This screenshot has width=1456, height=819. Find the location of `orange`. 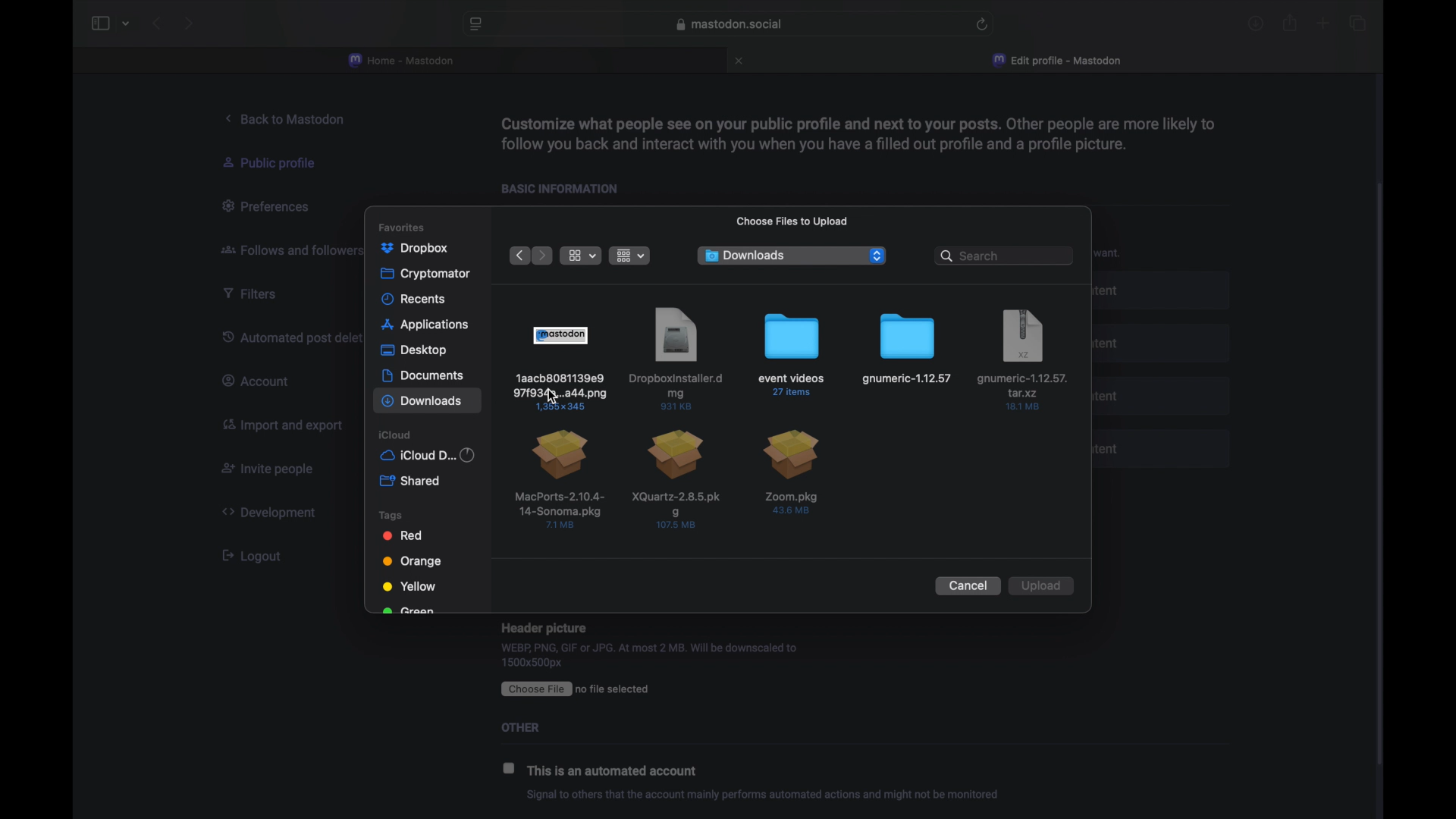

orange is located at coordinates (411, 563).